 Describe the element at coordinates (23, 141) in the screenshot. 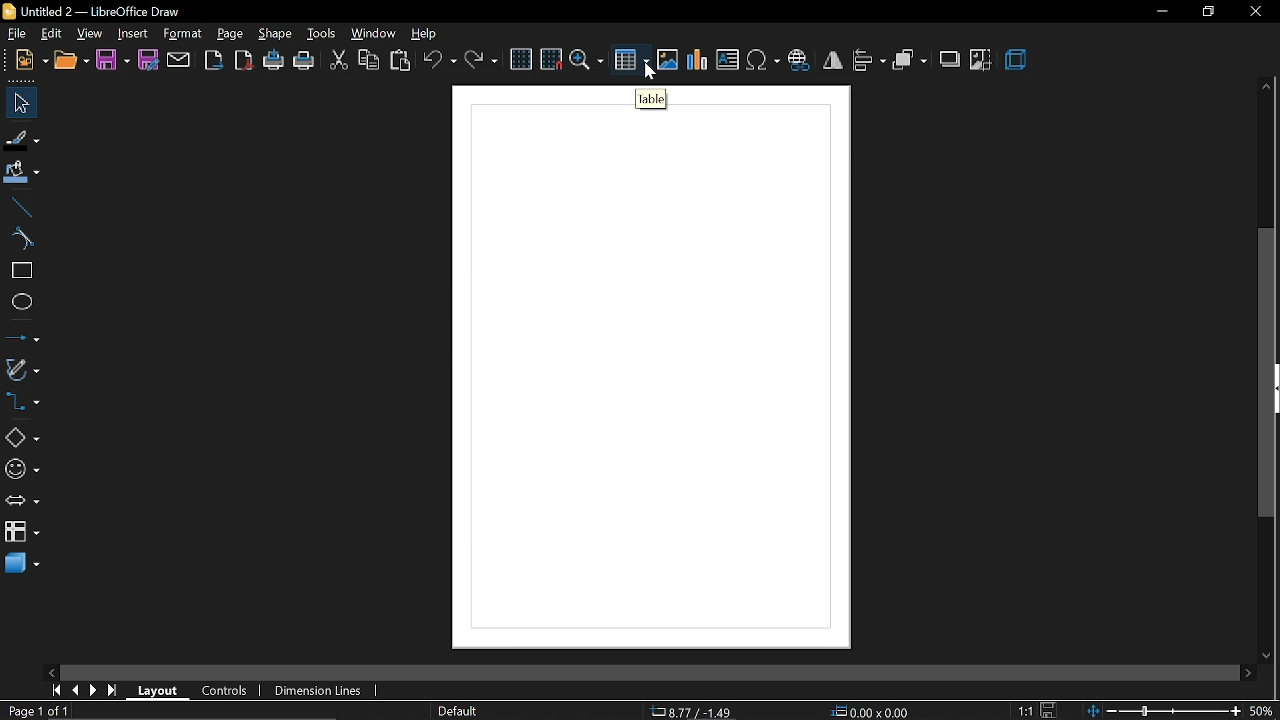

I see `fill line` at that location.